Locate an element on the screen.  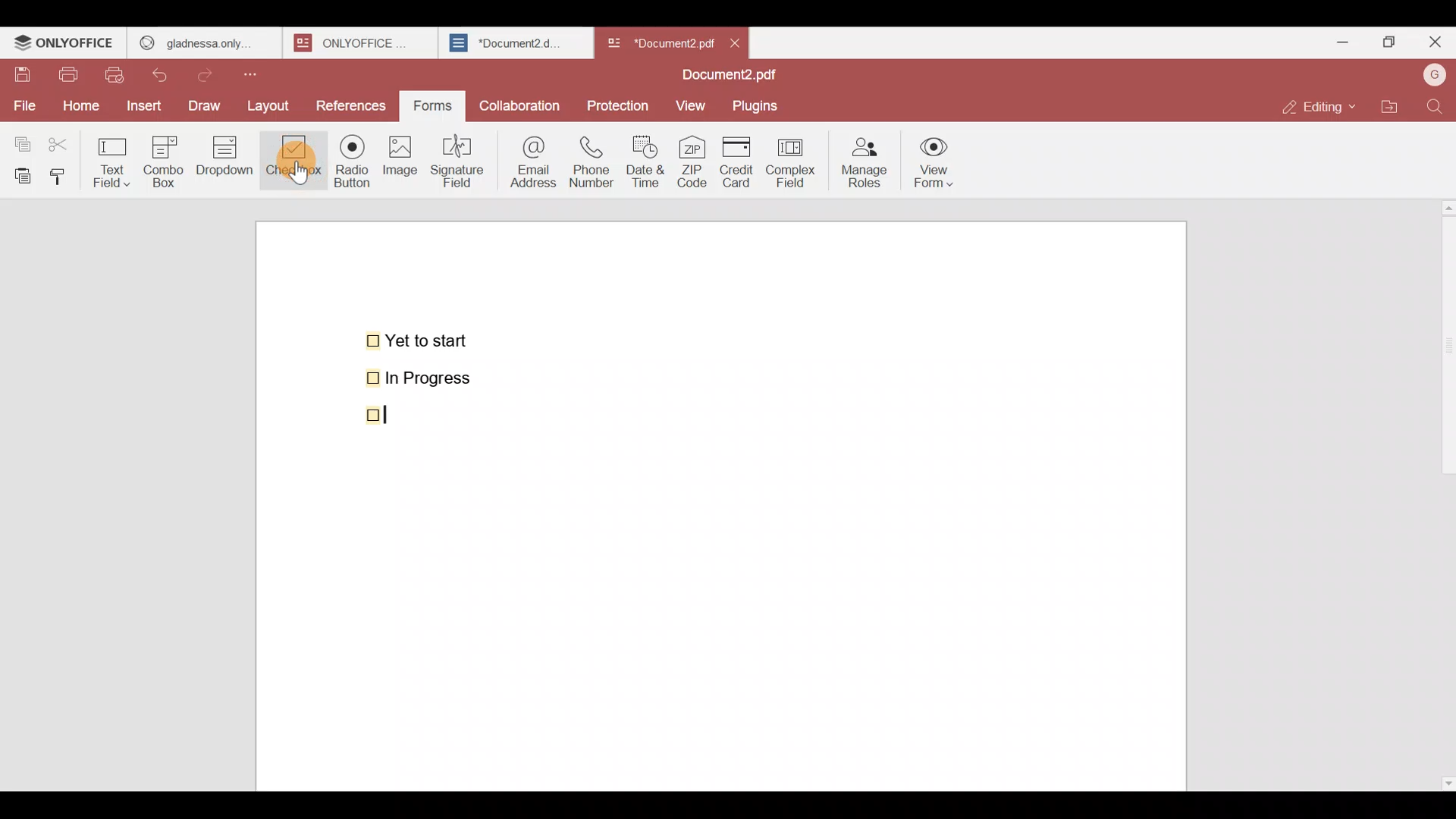
Image is located at coordinates (402, 167).